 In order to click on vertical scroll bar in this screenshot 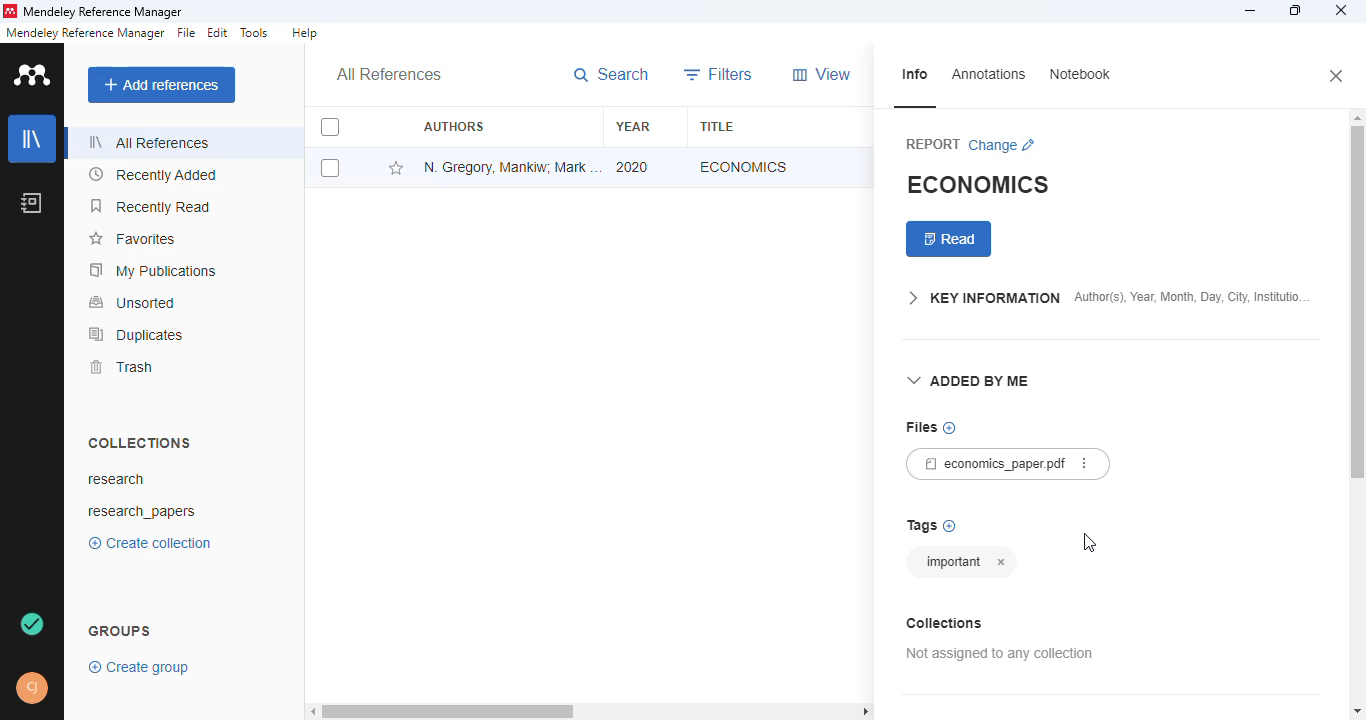, I will do `click(1356, 309)`.